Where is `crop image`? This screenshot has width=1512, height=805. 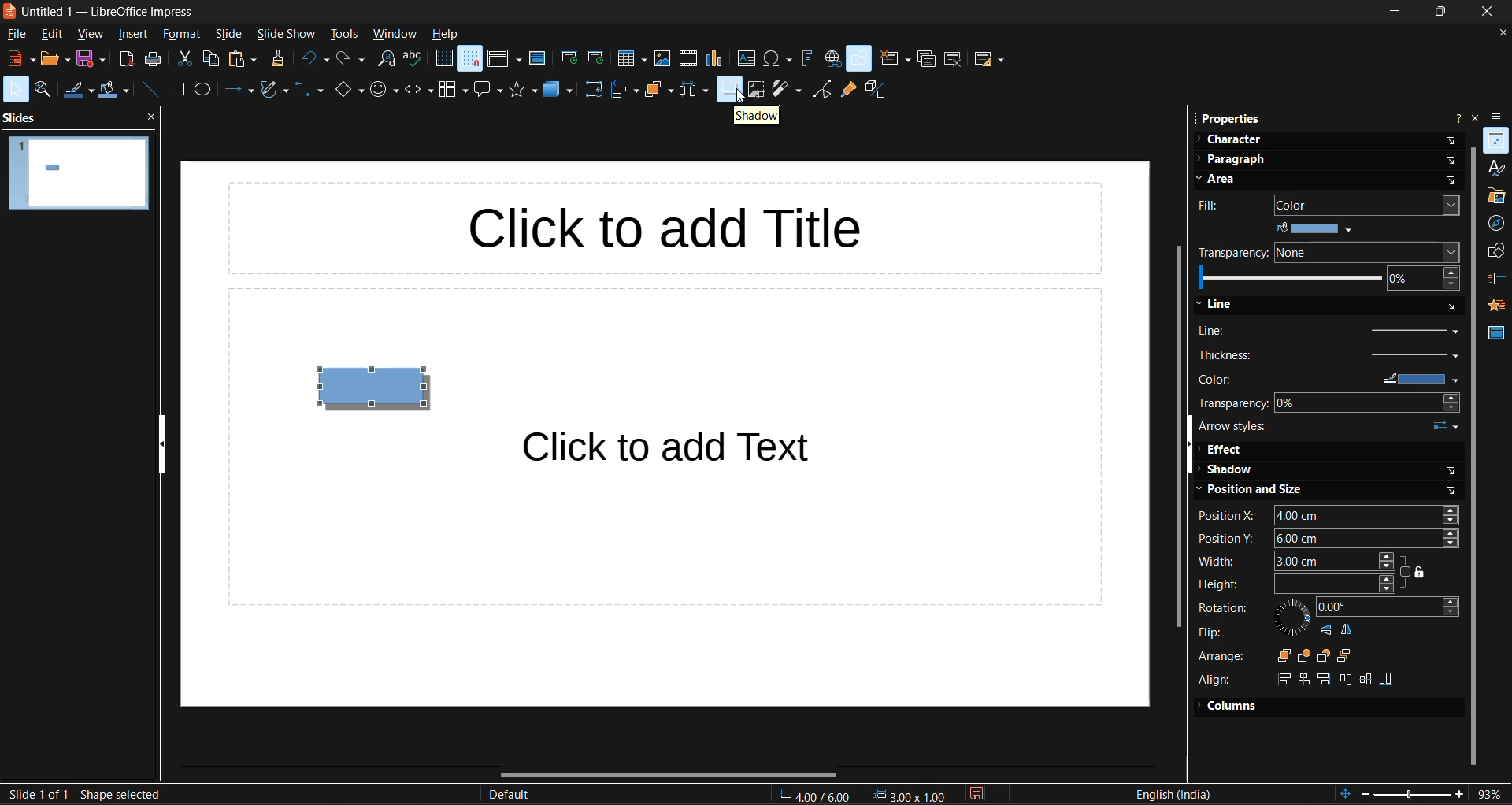 crop image is located at coordinates (755, 90).